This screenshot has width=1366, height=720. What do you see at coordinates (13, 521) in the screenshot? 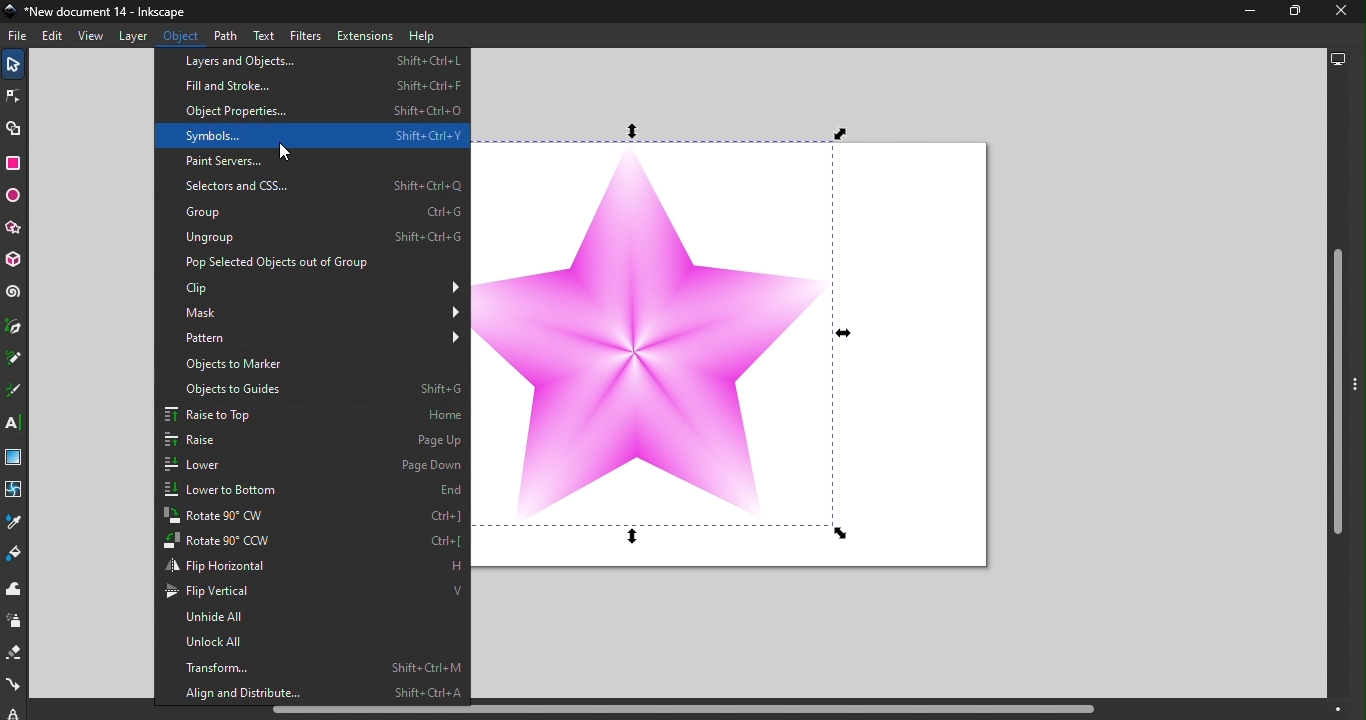
I see `Dropper tool` at bounding box center [13, 521].